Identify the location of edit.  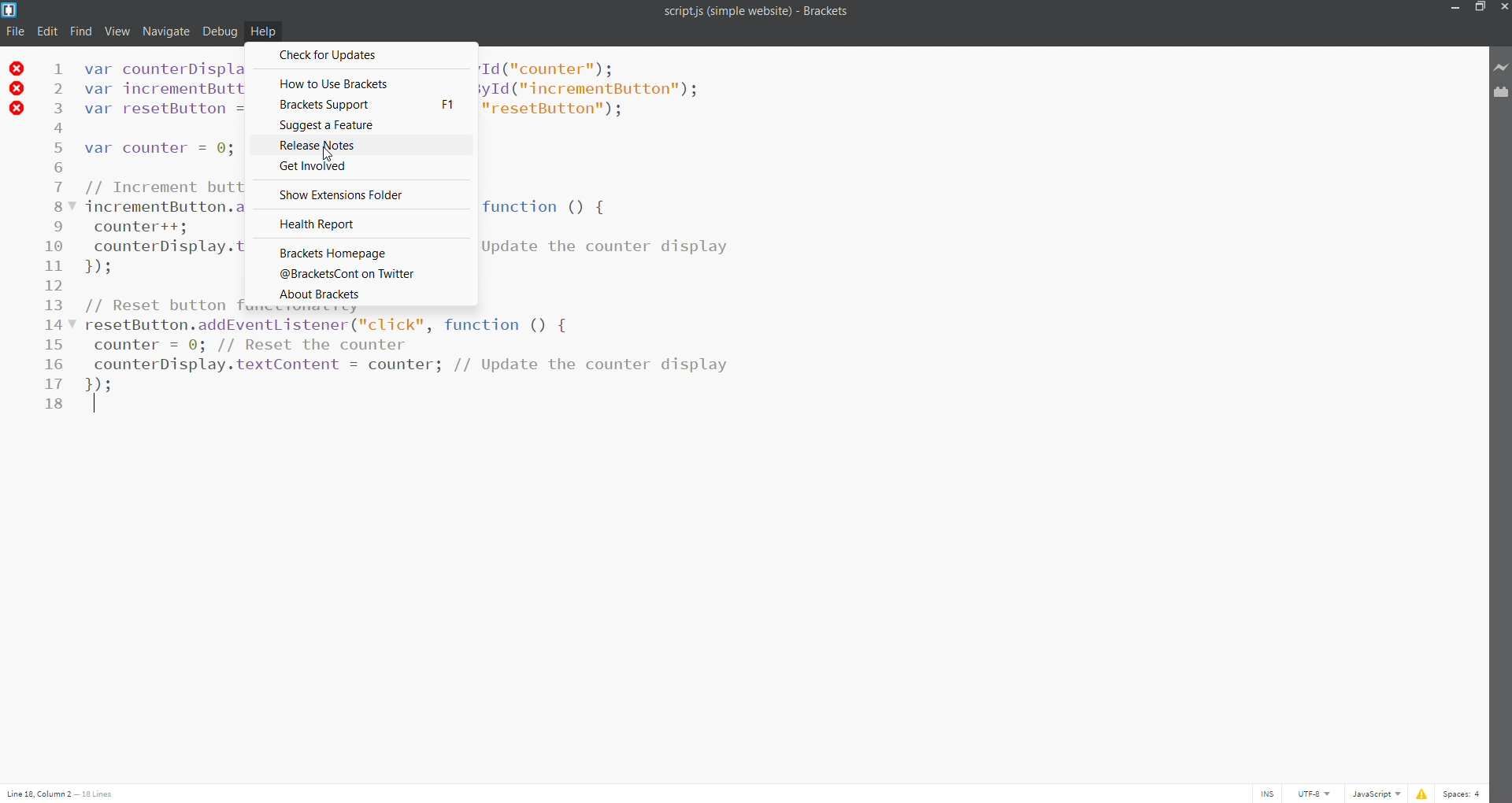
(46, 30).